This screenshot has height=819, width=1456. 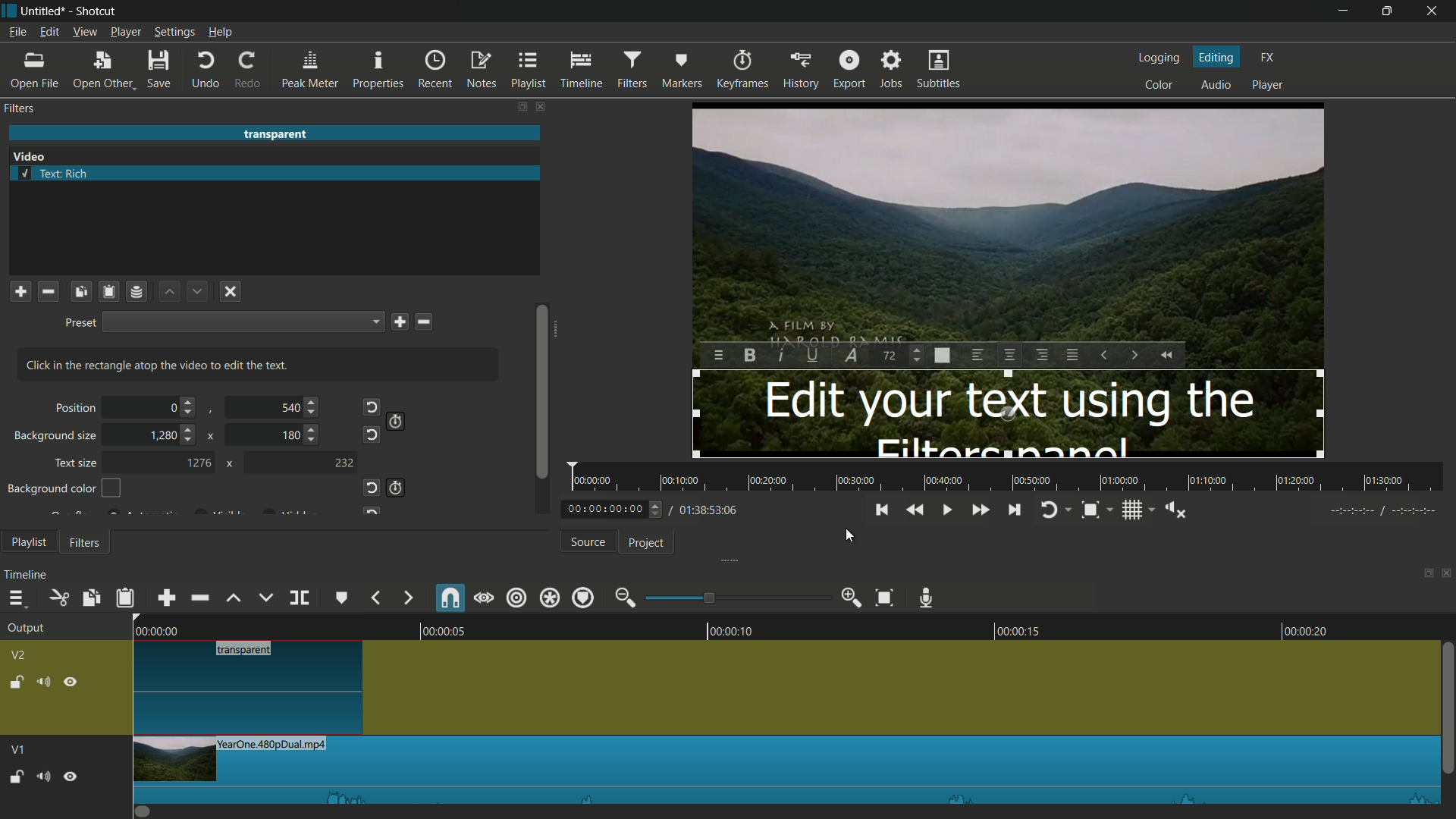 What do you see at coordinates (884, 598) in the screenshot?
I see `zoom timeline to fit` at bounding box center [884, 598].